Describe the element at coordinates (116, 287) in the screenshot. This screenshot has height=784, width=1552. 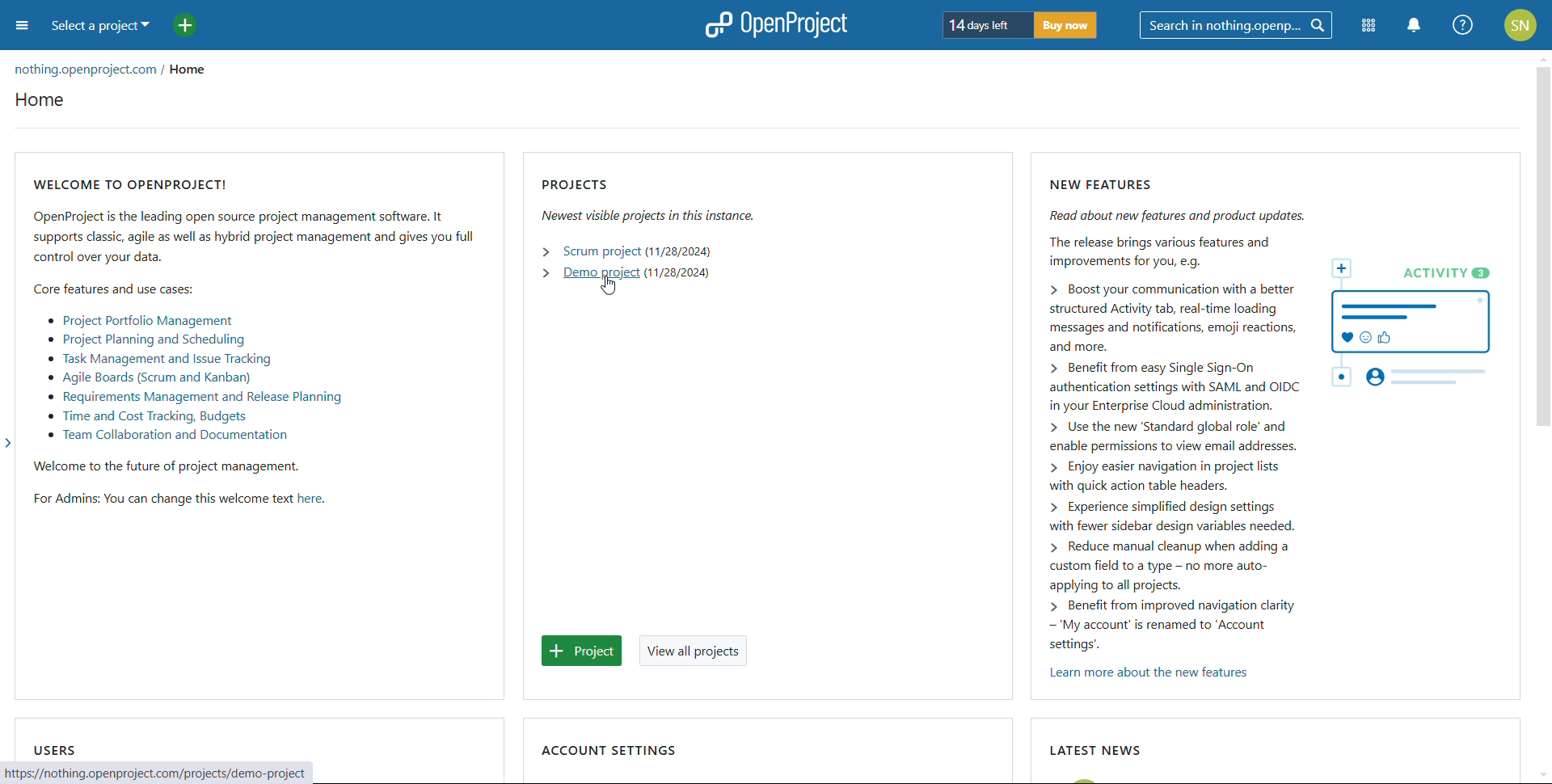
I see `core features and use cases` at that location.